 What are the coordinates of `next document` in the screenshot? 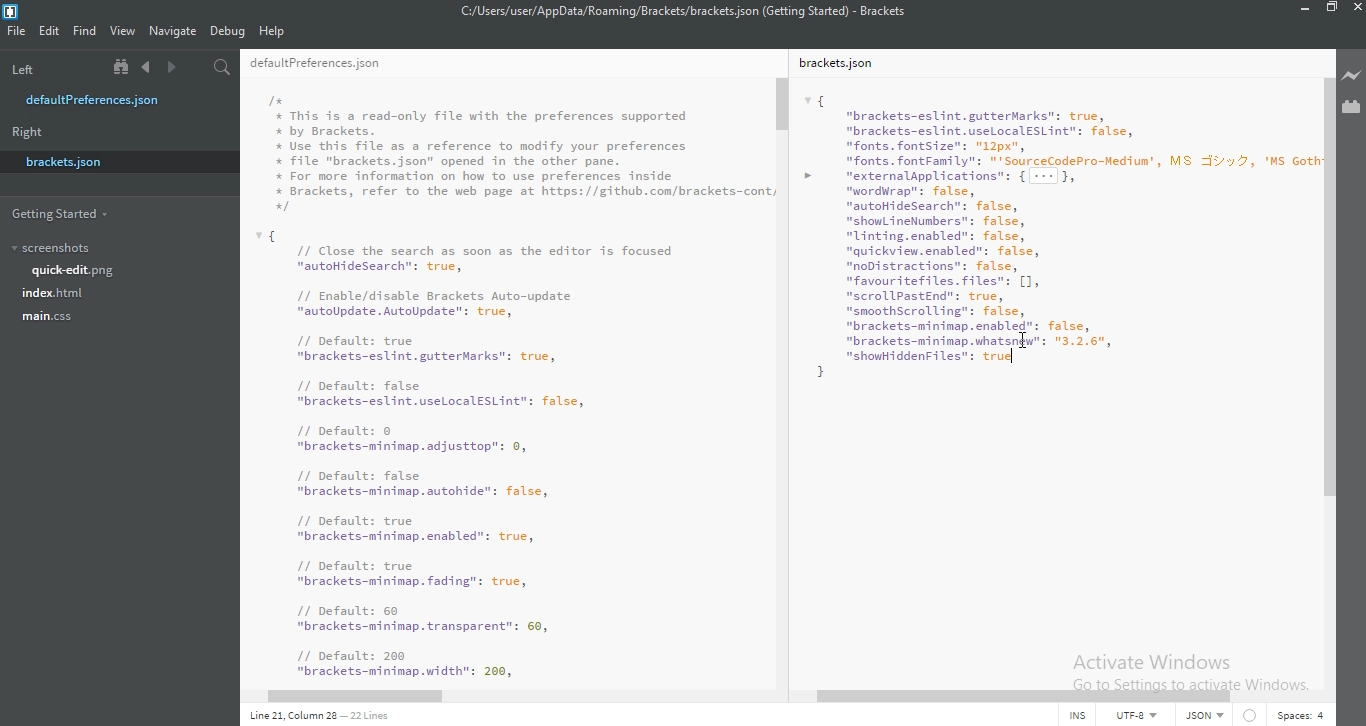 It's located at (172, 68).